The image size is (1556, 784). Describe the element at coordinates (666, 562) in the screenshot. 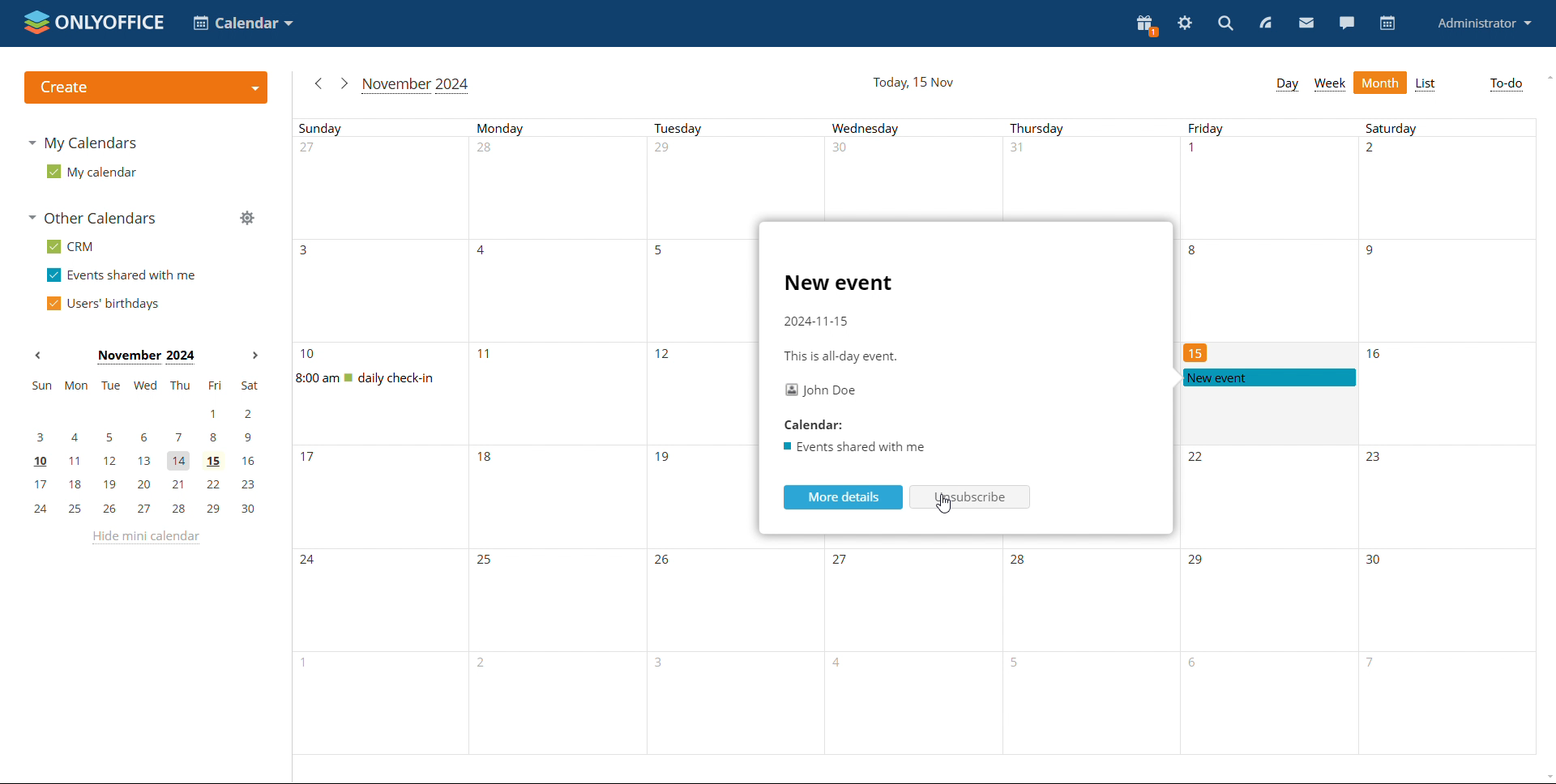

I see `` at that location.